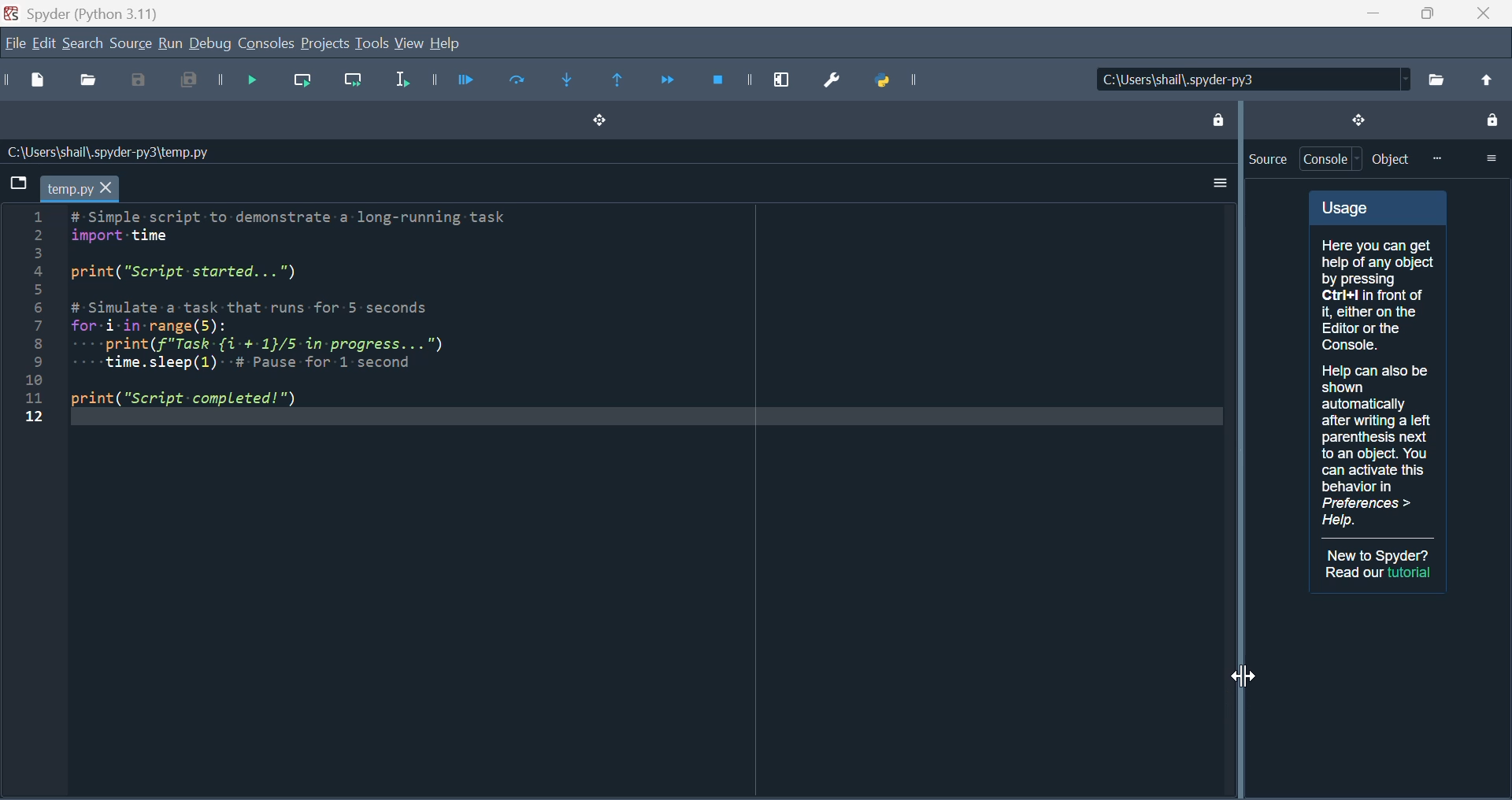 This screenshot has height=800, width=1512. I want to click on more options, so click(1491, 157).